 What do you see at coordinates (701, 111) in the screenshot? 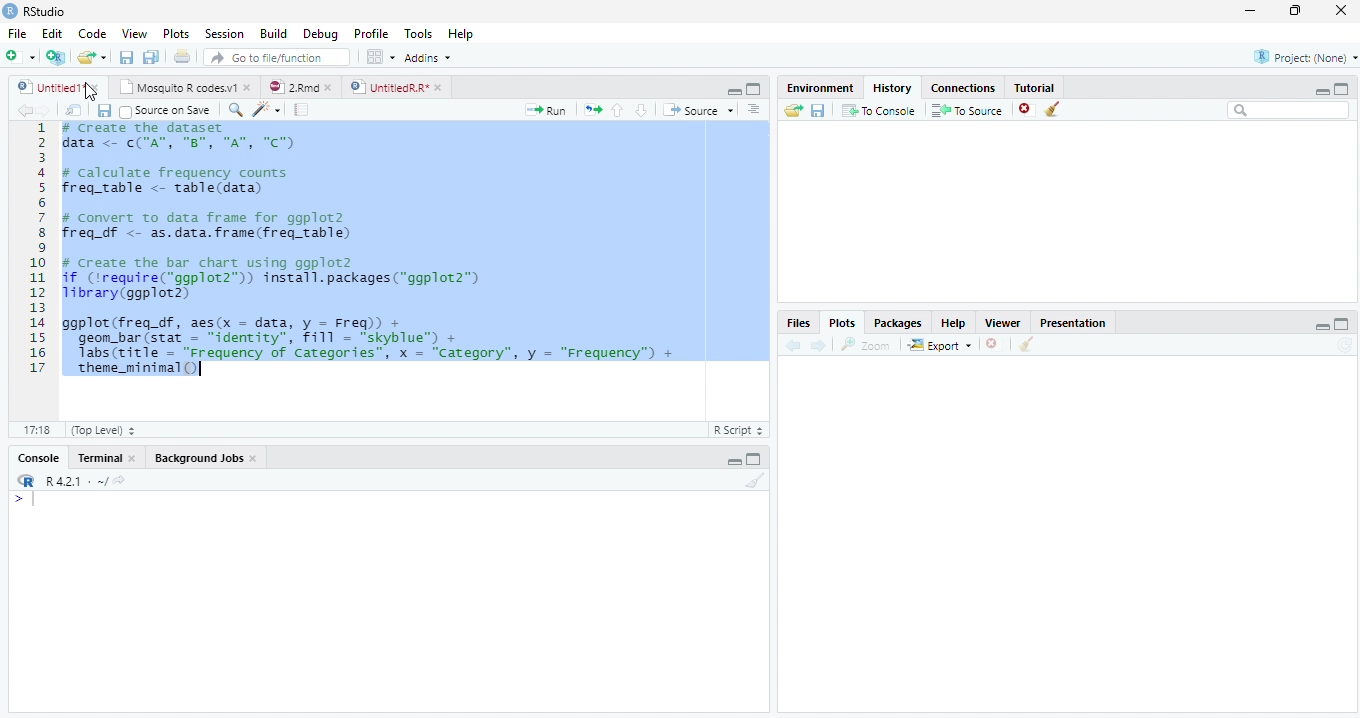
I see `Source` at bounding box center [701, 111].